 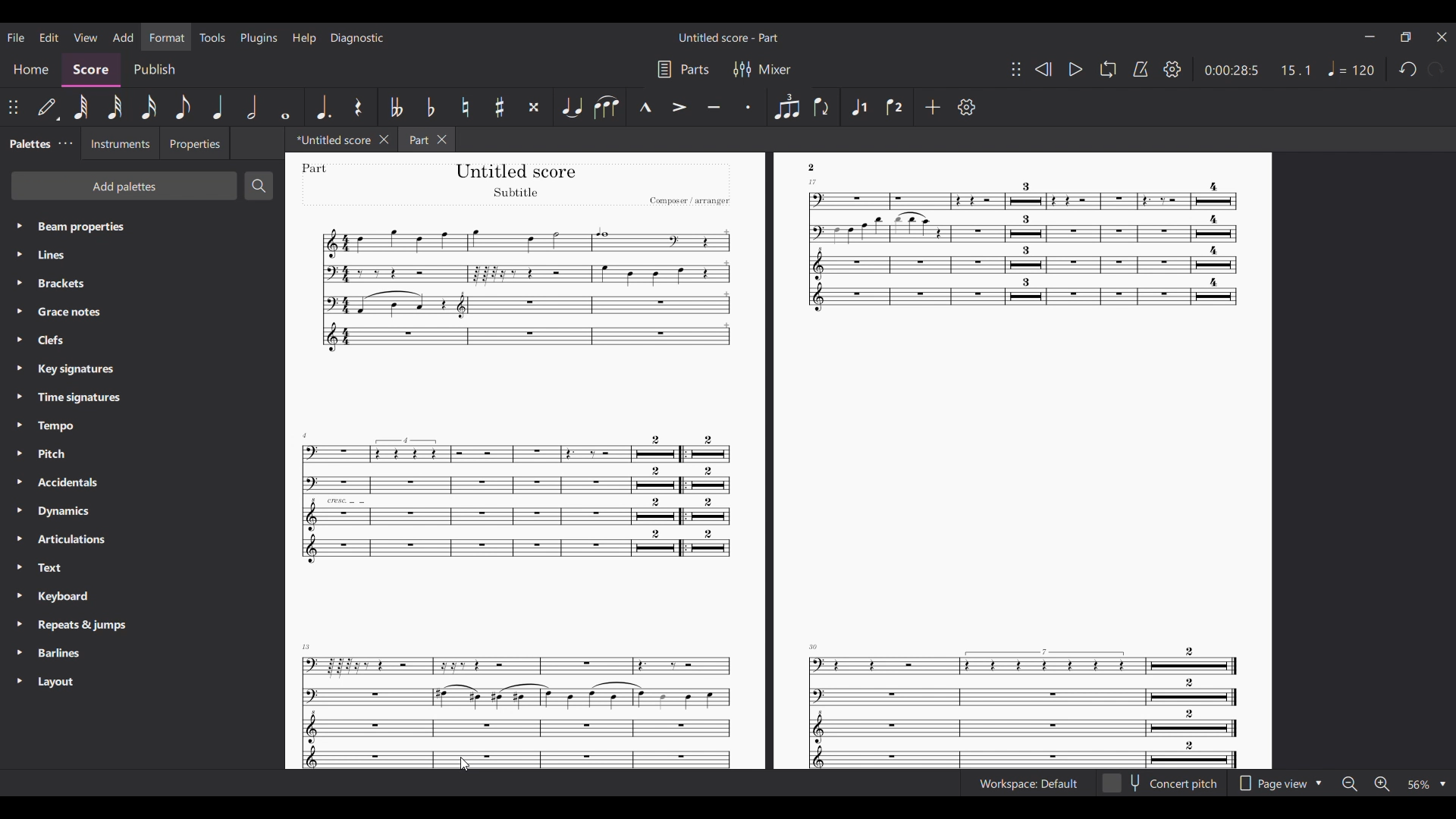 What do you see at coordinates (12, 108) in the screenshot?
I see `Change poisition` at bounding box center [12, 108].